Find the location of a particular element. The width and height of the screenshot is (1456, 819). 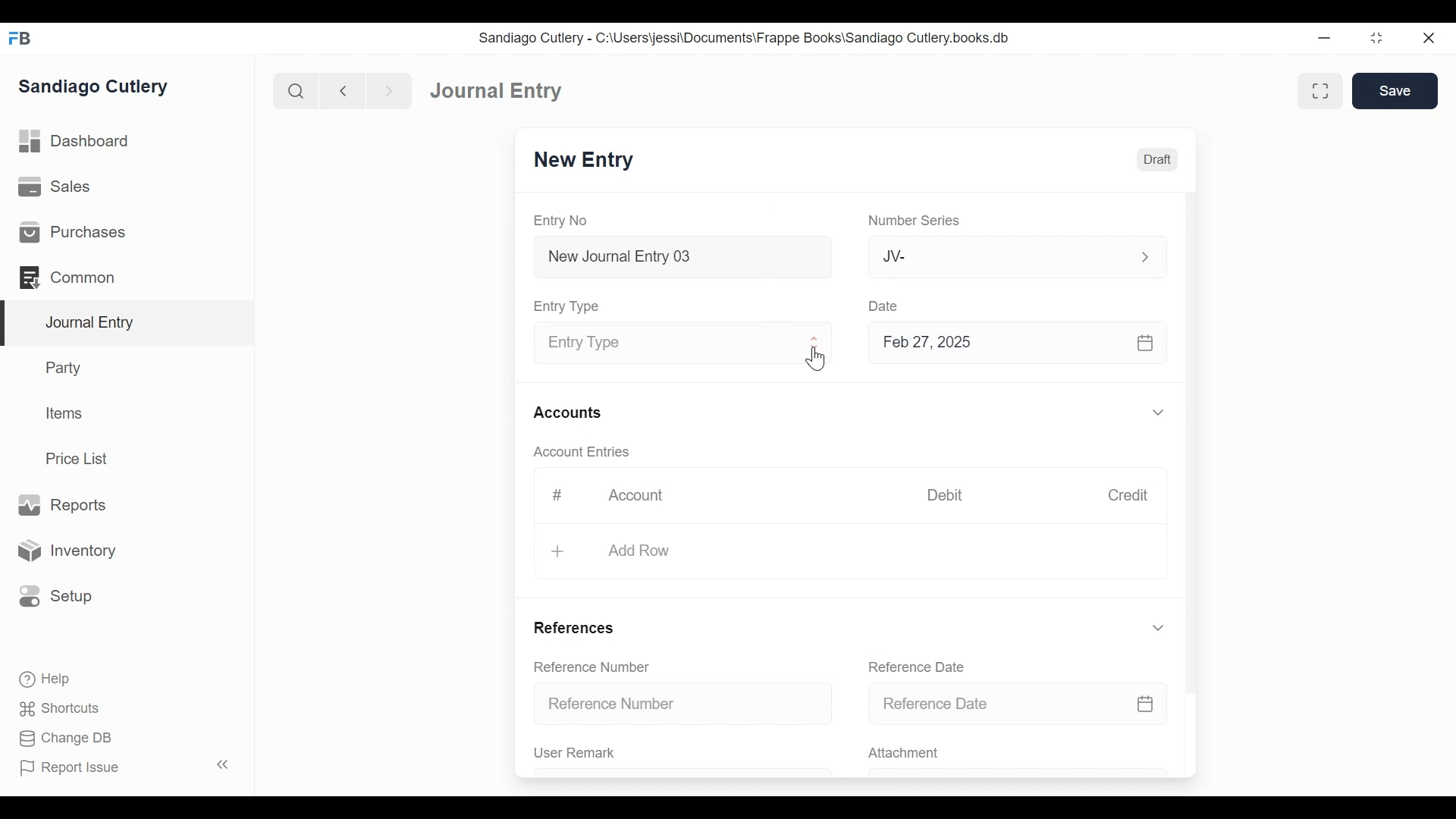

New Journal Entry 03 is located at coordinates (679, 257).